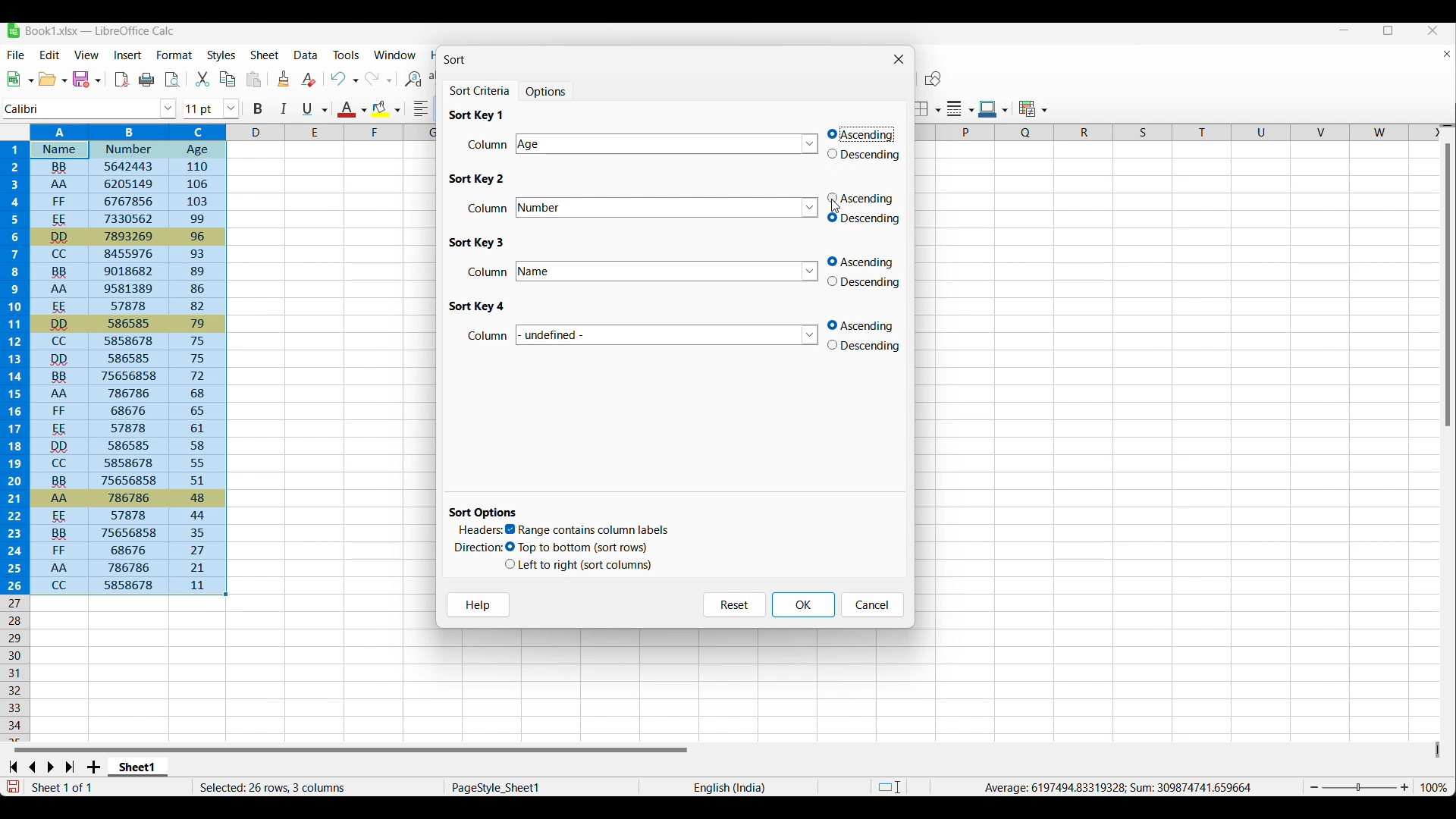  Describe the element at coordinates (867, 325) in the screenshot. I see `ascending` at that location.